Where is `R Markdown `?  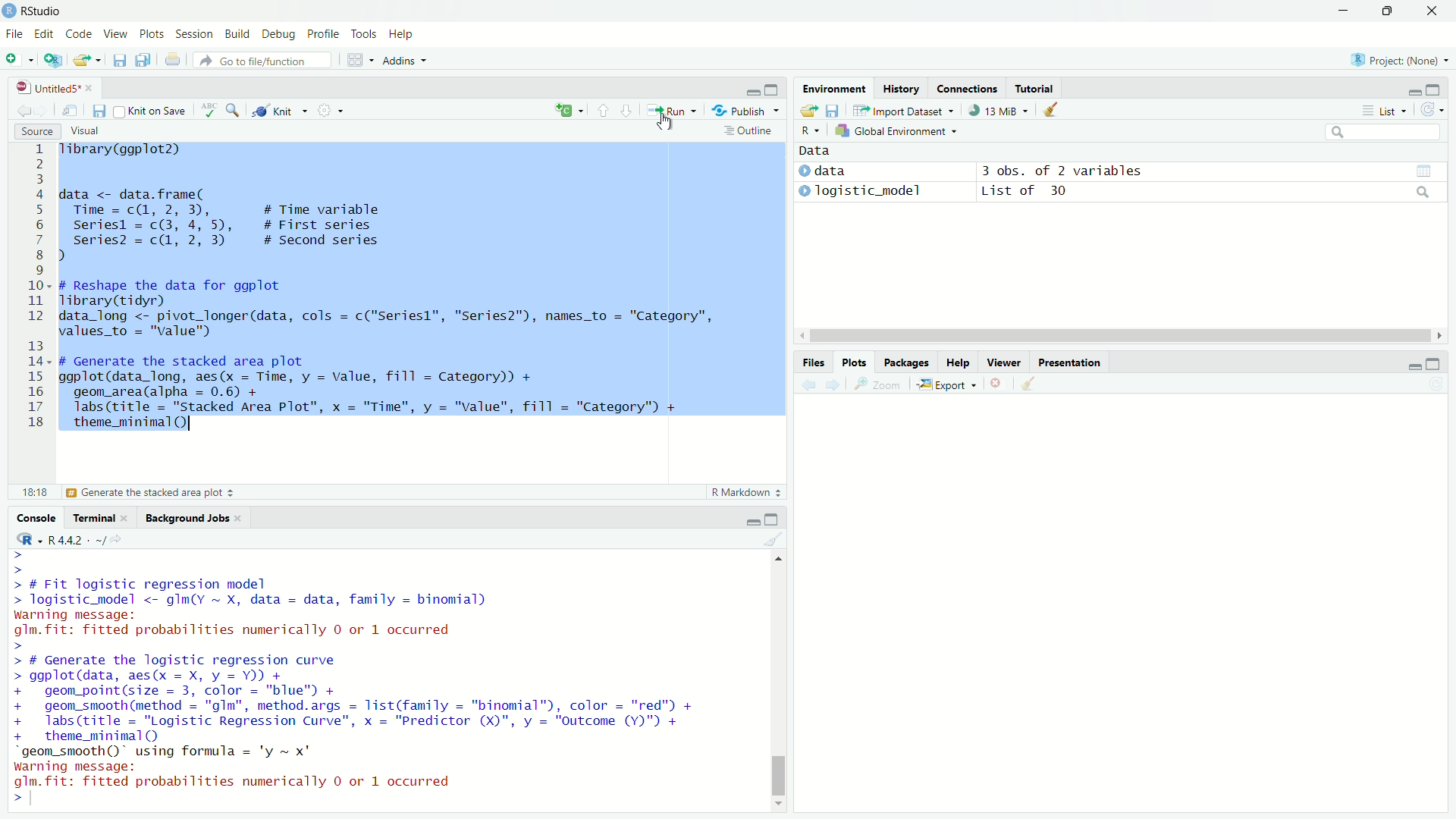
R Markdown  is located at coordinates (733, 490).